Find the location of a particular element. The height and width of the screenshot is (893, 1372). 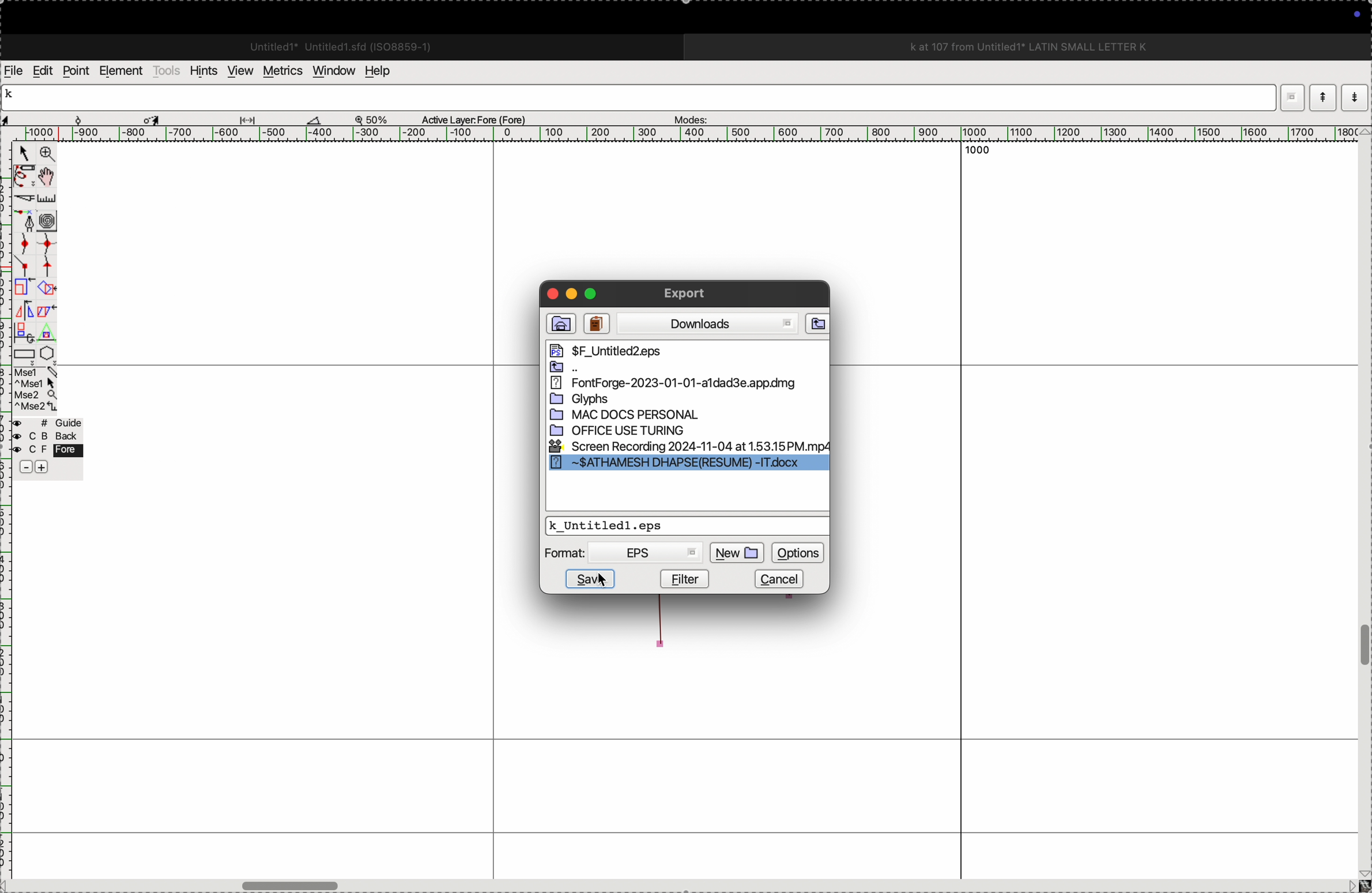

scale is located at coordinates (49, 198).